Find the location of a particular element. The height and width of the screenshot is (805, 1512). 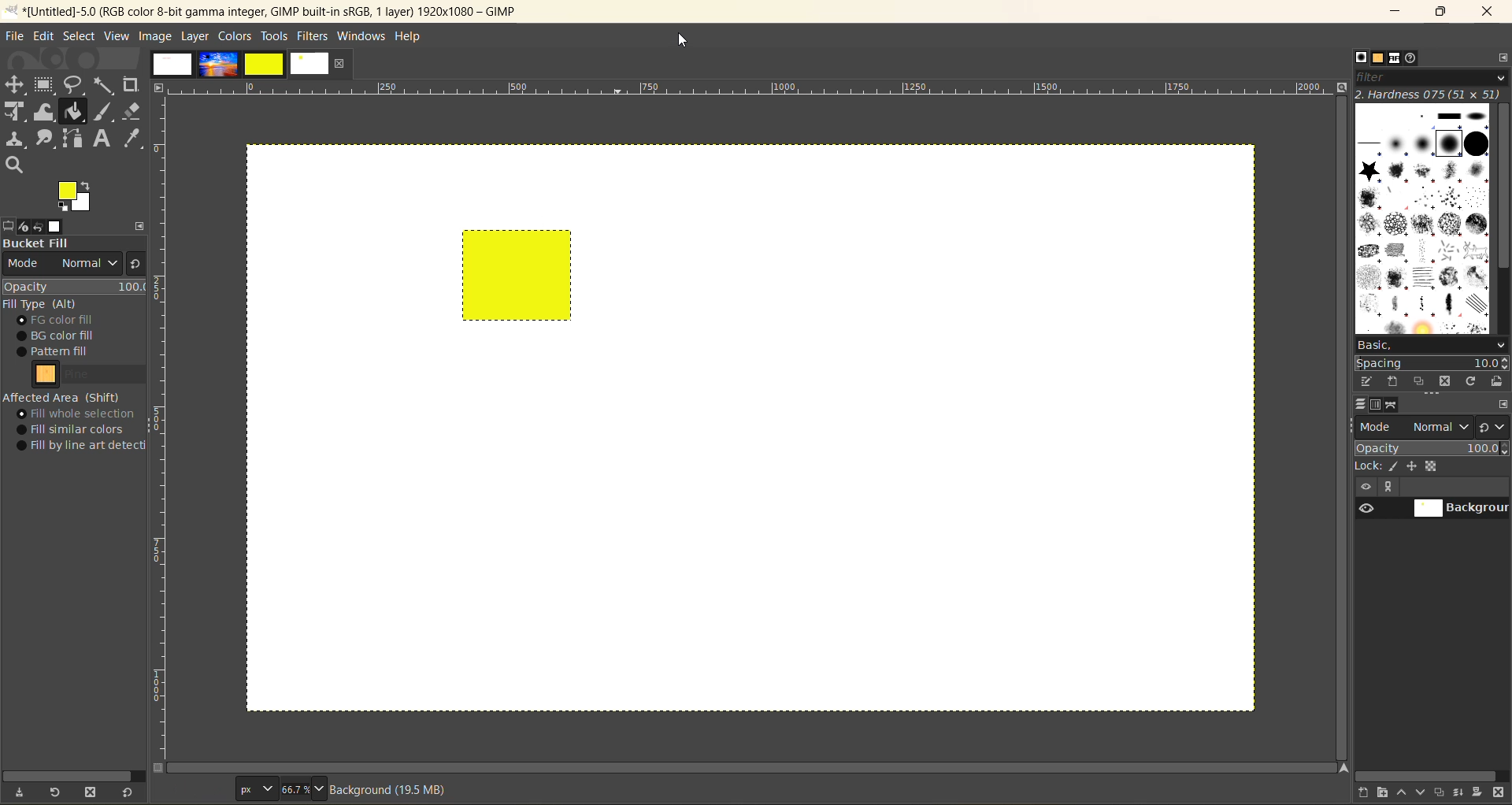

pattern fill is located at coordinates (70, 352).